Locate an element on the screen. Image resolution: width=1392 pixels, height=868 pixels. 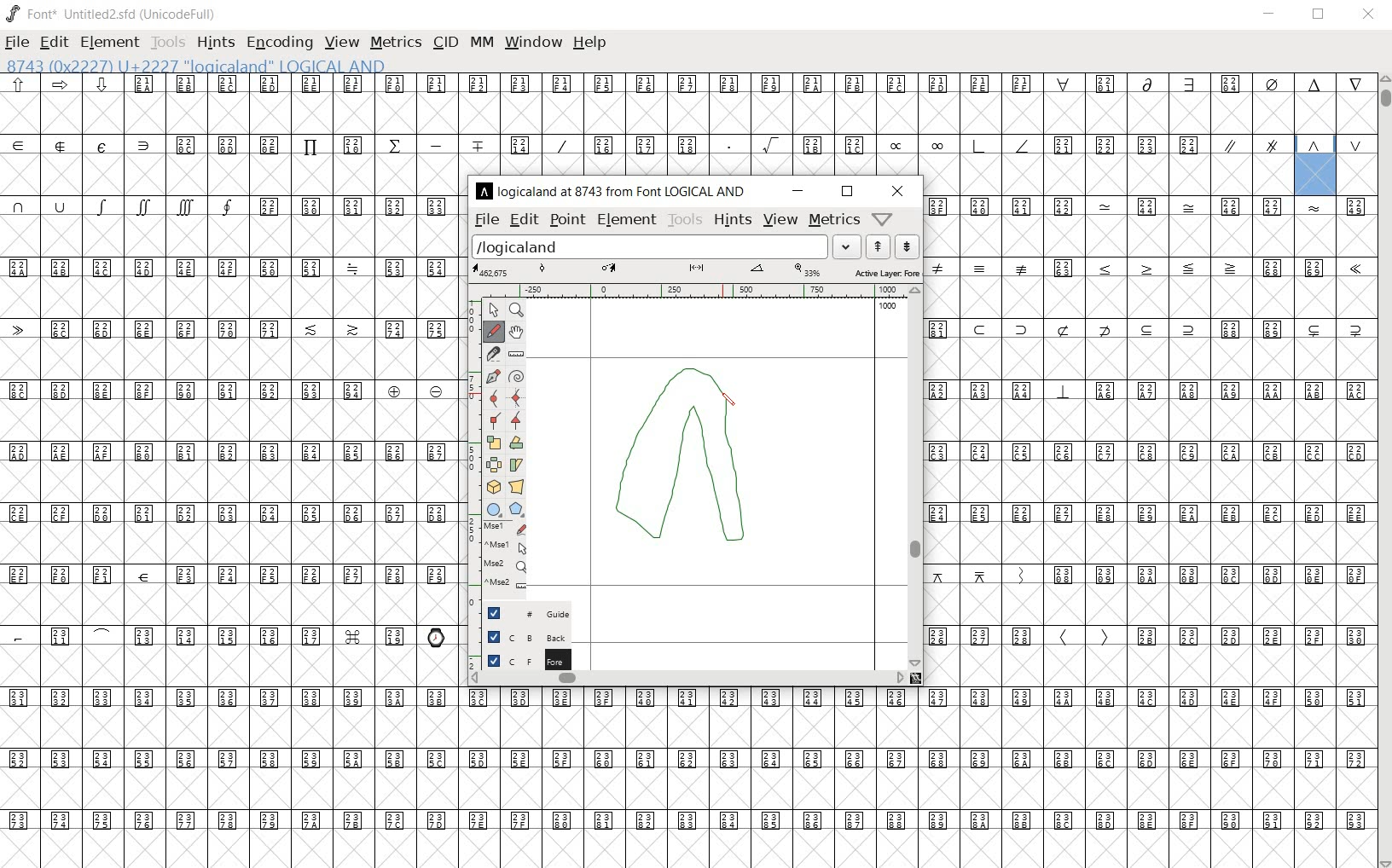
Rotate the selection is located at coordinates (516, 465).